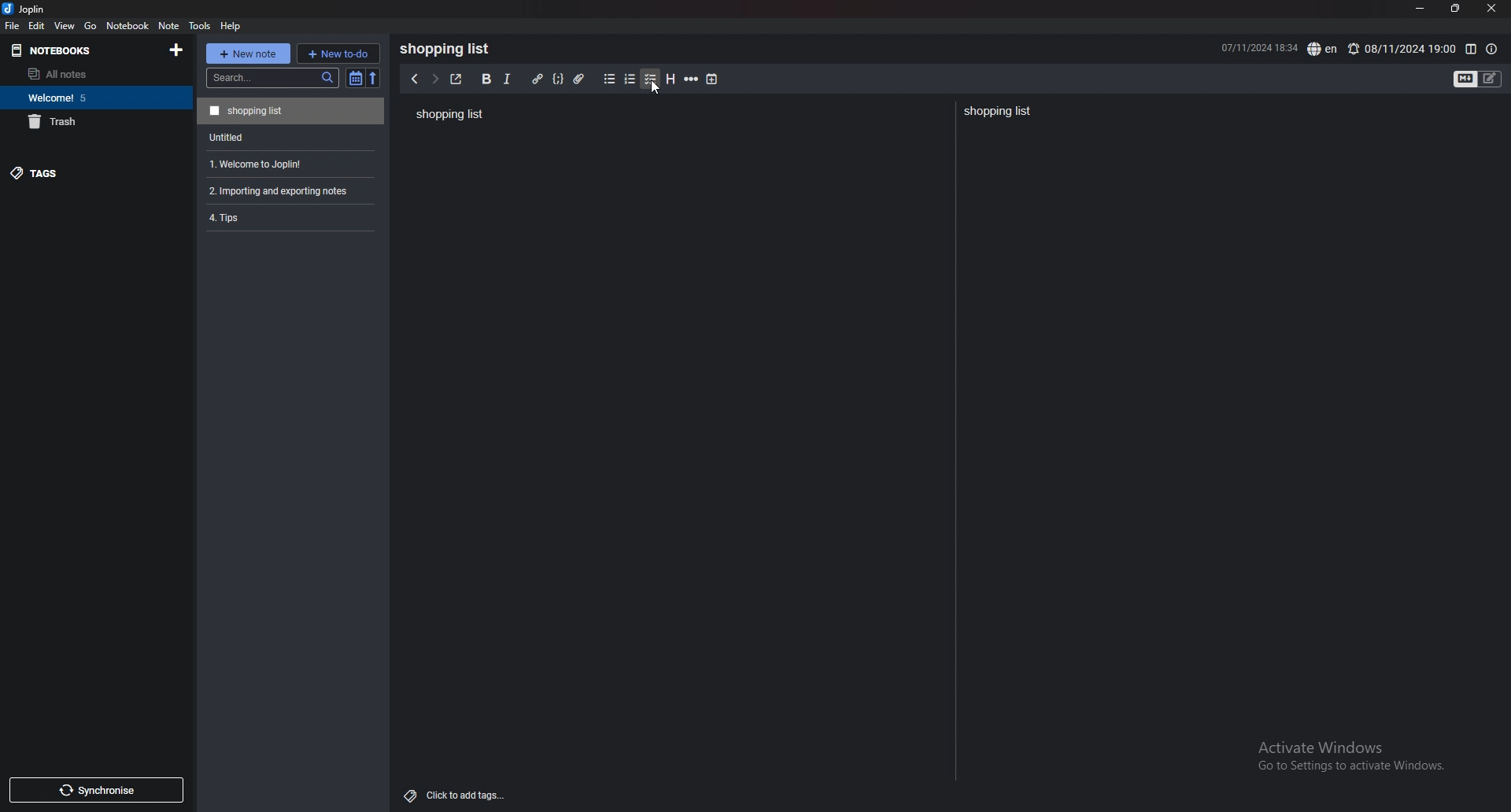 Image resolution: width=1511 pixels, height=812 pixels. Describe the element at coordinates (609, 79) in the screenshot. I see `bullet list` at that location.